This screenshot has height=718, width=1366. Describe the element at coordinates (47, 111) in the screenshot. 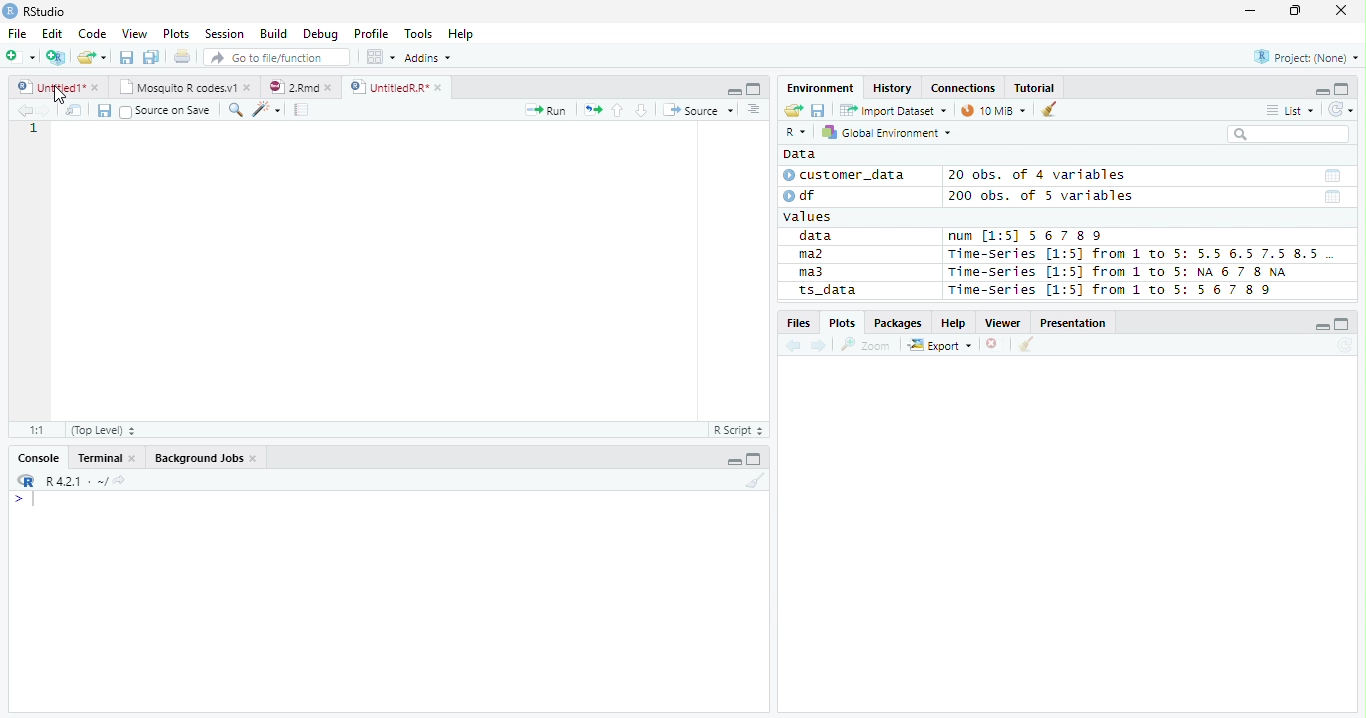

I see `Next` at that location.